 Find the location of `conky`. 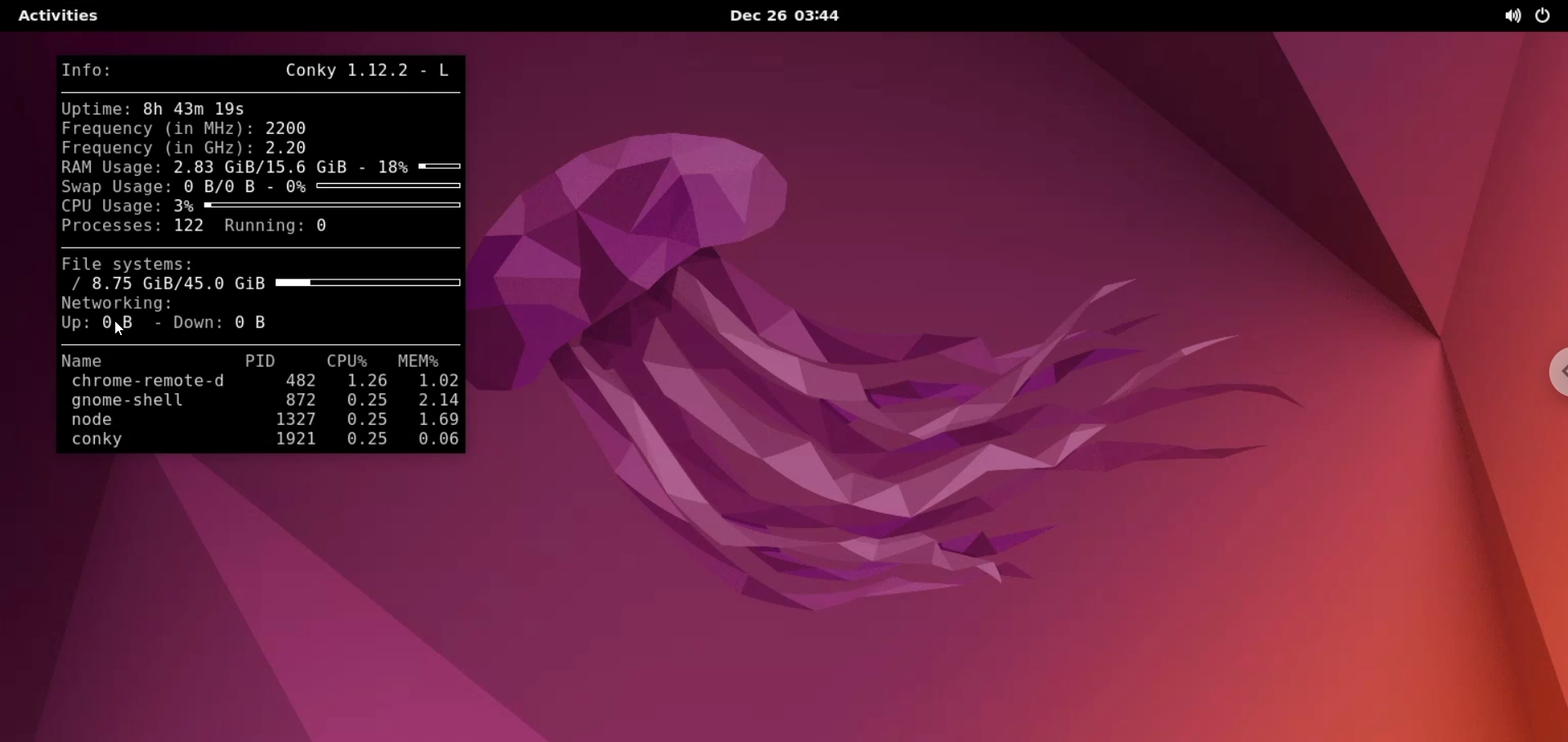

conky is located at coordinates (139, 440).